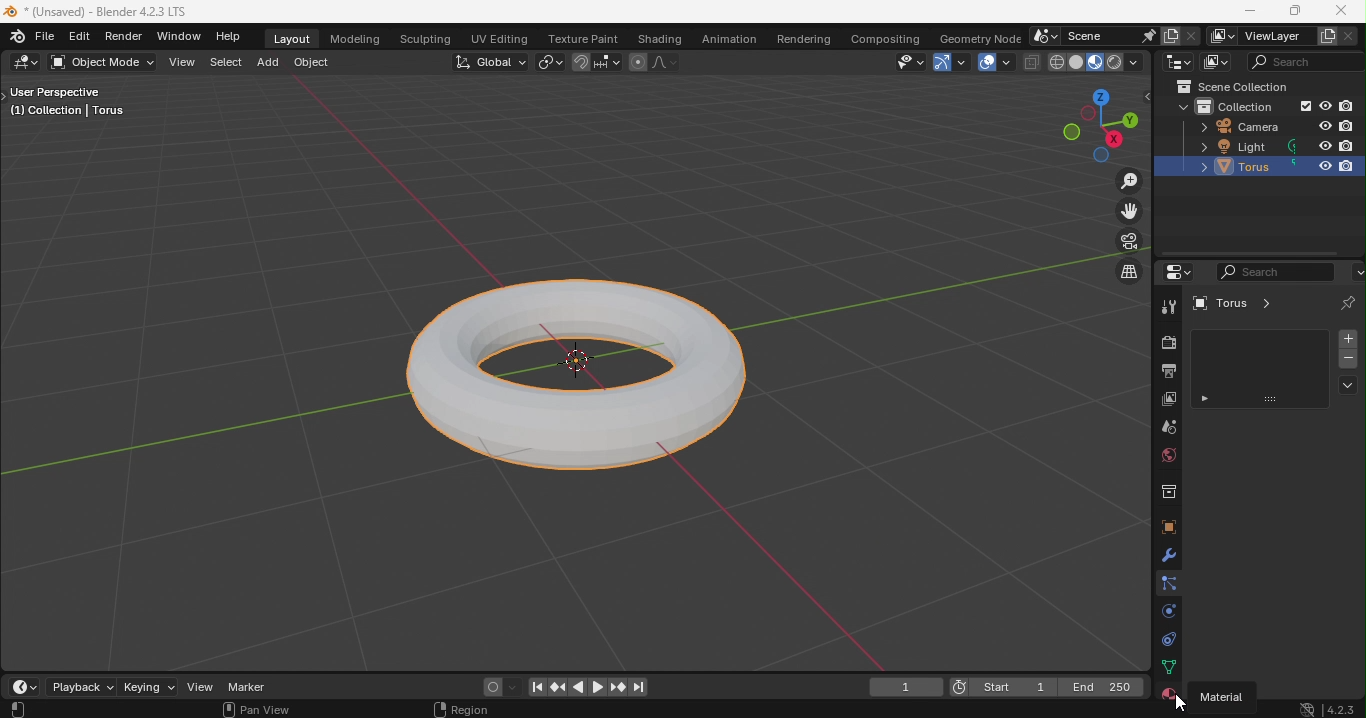 This screenshot has width=1366, height=718. What do you see at coordinates (1346, 168) in the screenshot?
I see `Disable in renders` at bounding box center [1346, 168].